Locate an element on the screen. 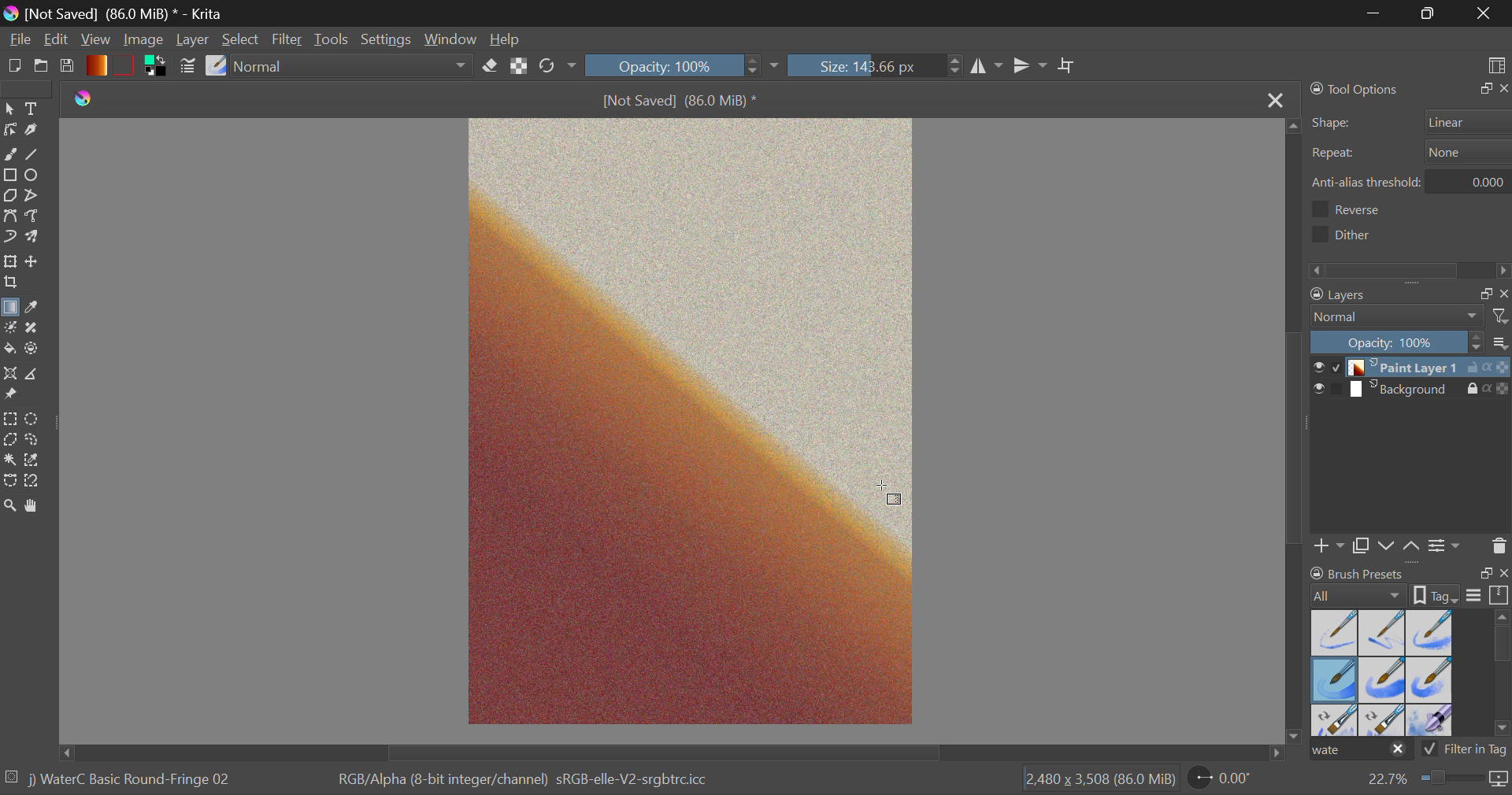  llogo is located at coordinates (84, 96).